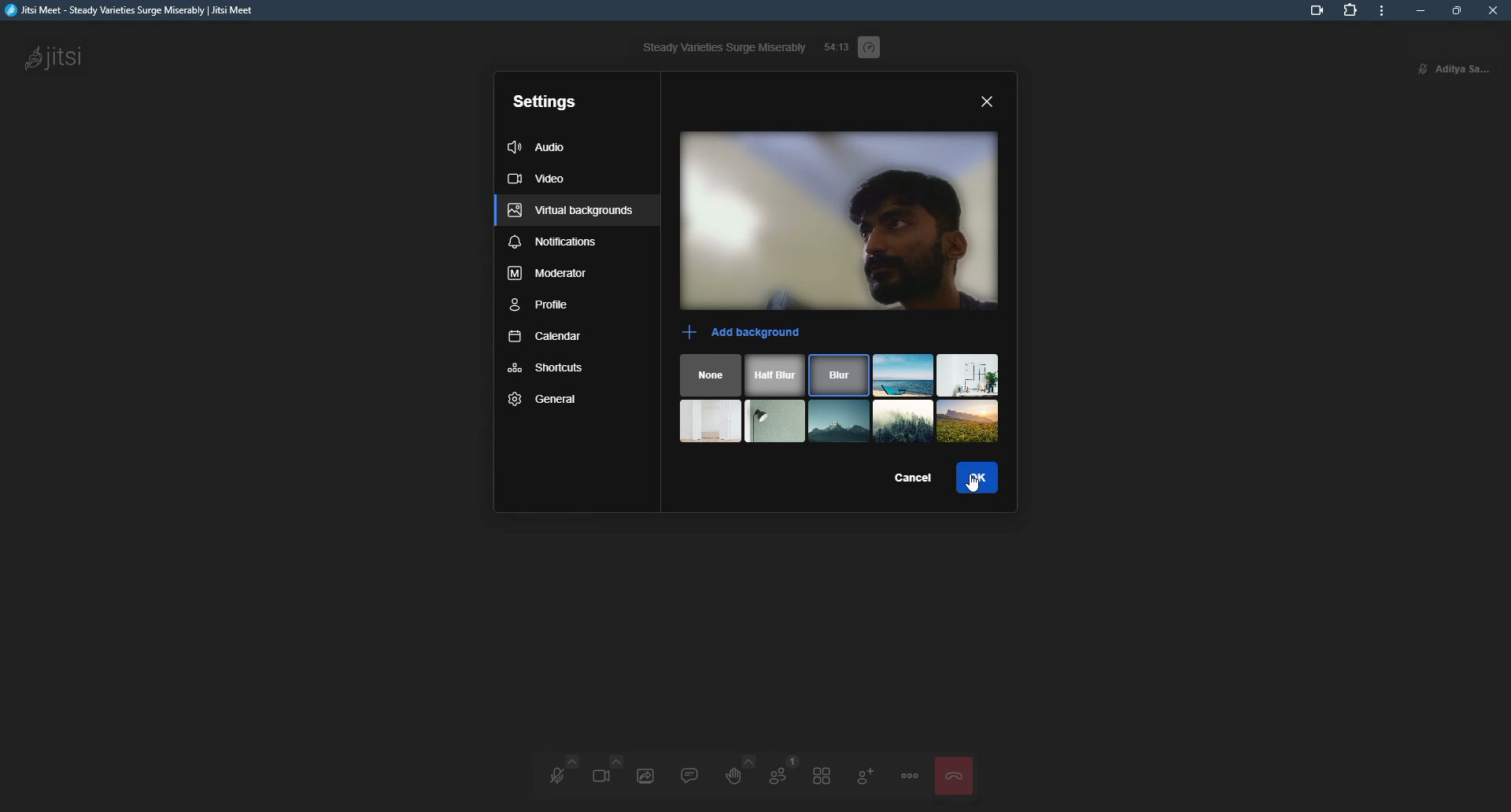  What do you see at coordinates (777, 420) in the screenshot?
I see `scenery` at bounding box center [777, 420].